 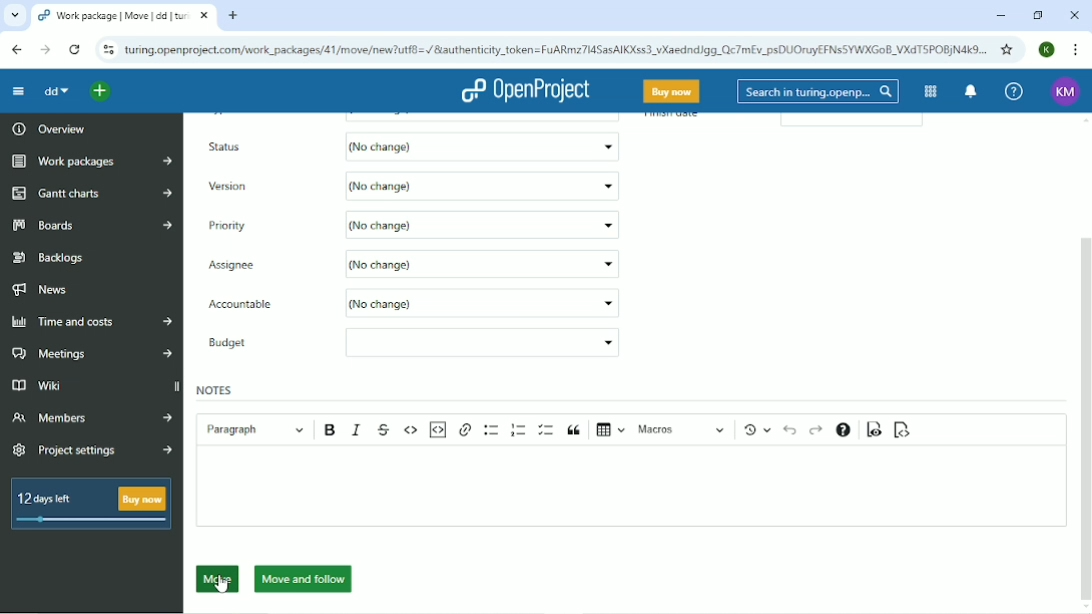 I want to click on Back, so click(x=16, y=49).